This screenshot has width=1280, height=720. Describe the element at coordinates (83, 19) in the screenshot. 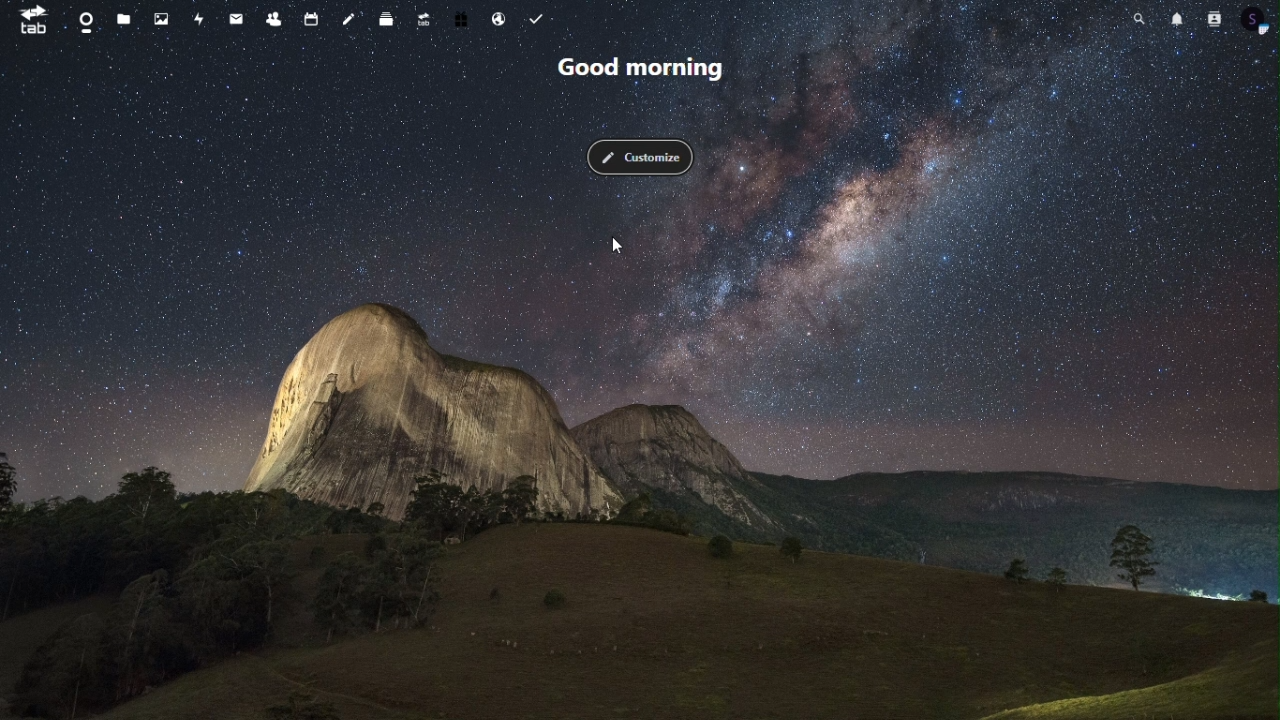

I see `dashboard` at that location.